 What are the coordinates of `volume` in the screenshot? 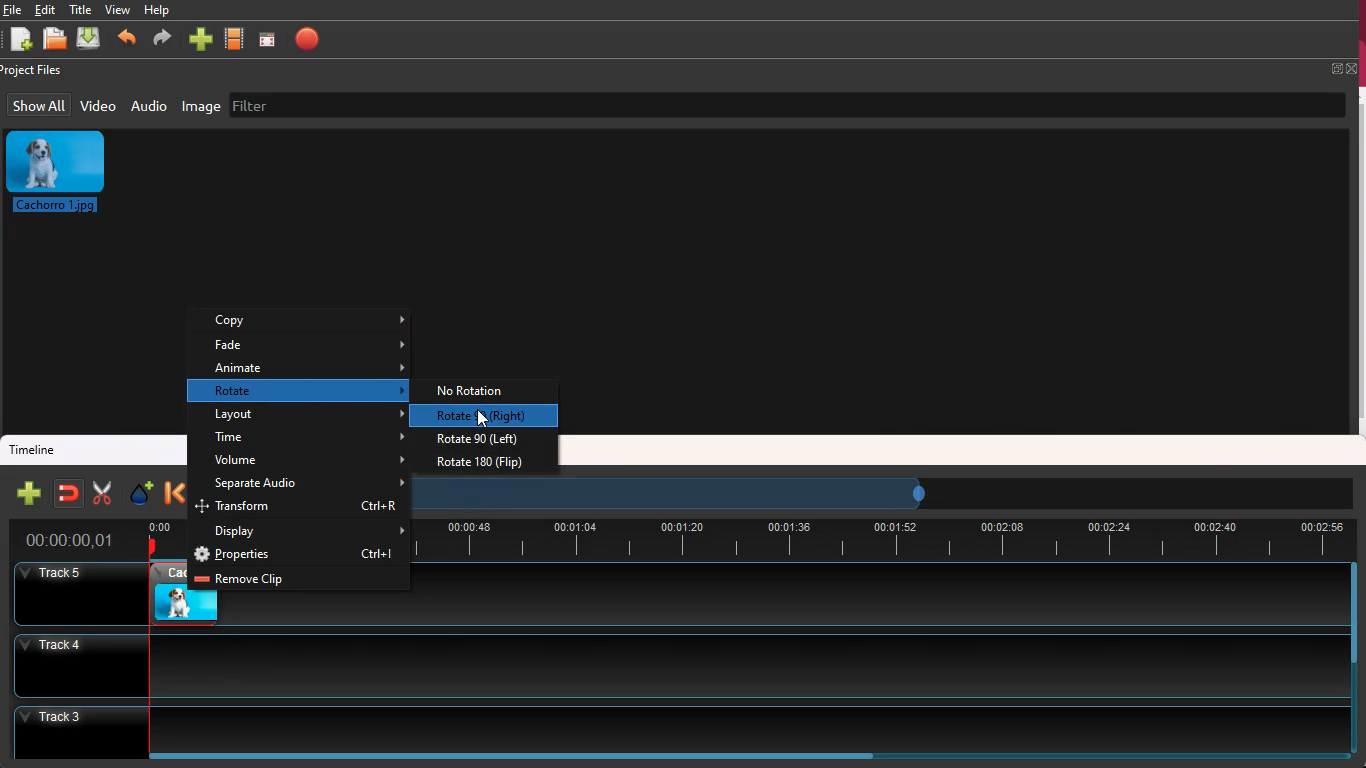 It's located at (311, 461).